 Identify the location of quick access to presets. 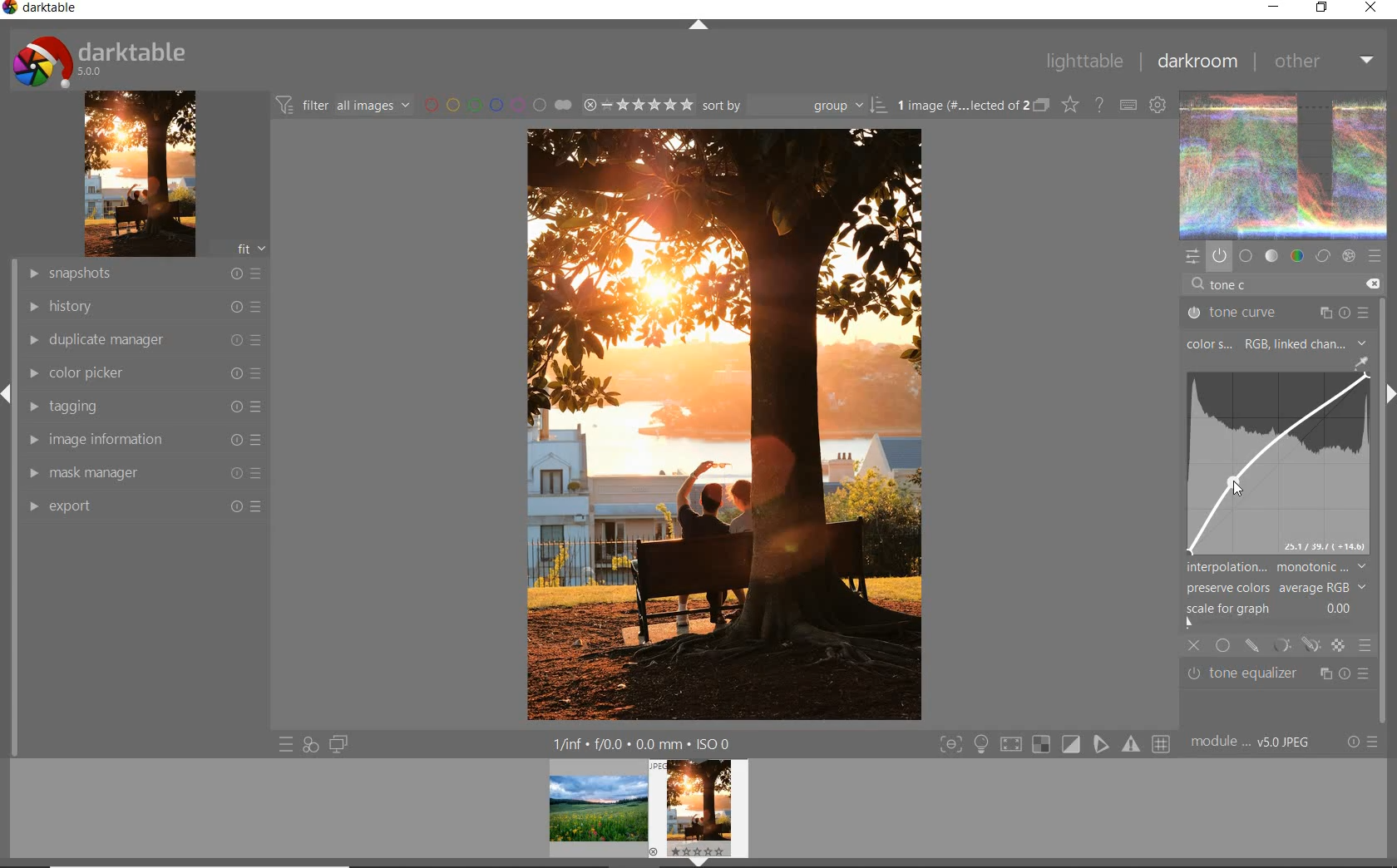
(286, 745).